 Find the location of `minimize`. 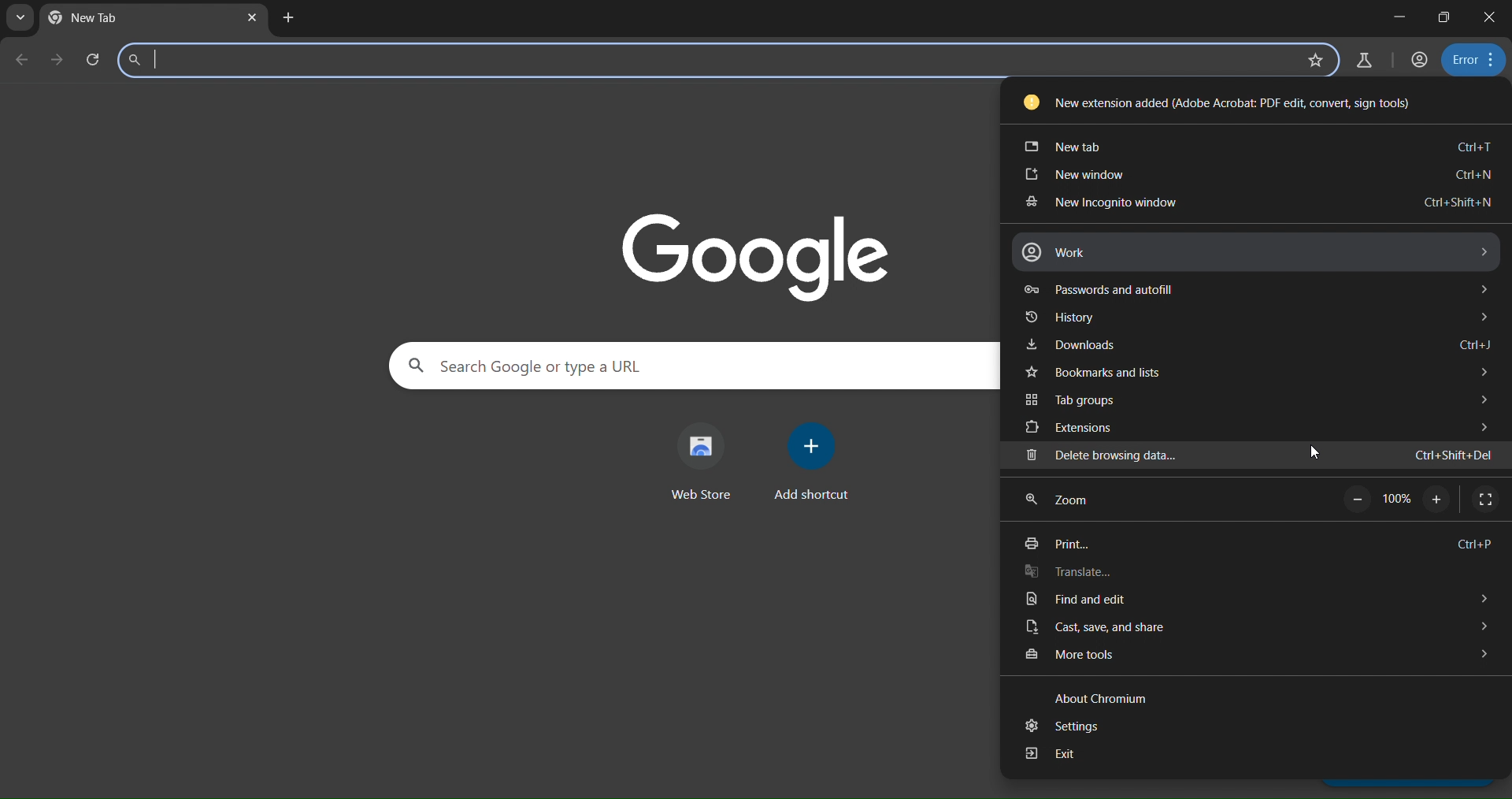

minimize is located at coordinates (1393, 15).